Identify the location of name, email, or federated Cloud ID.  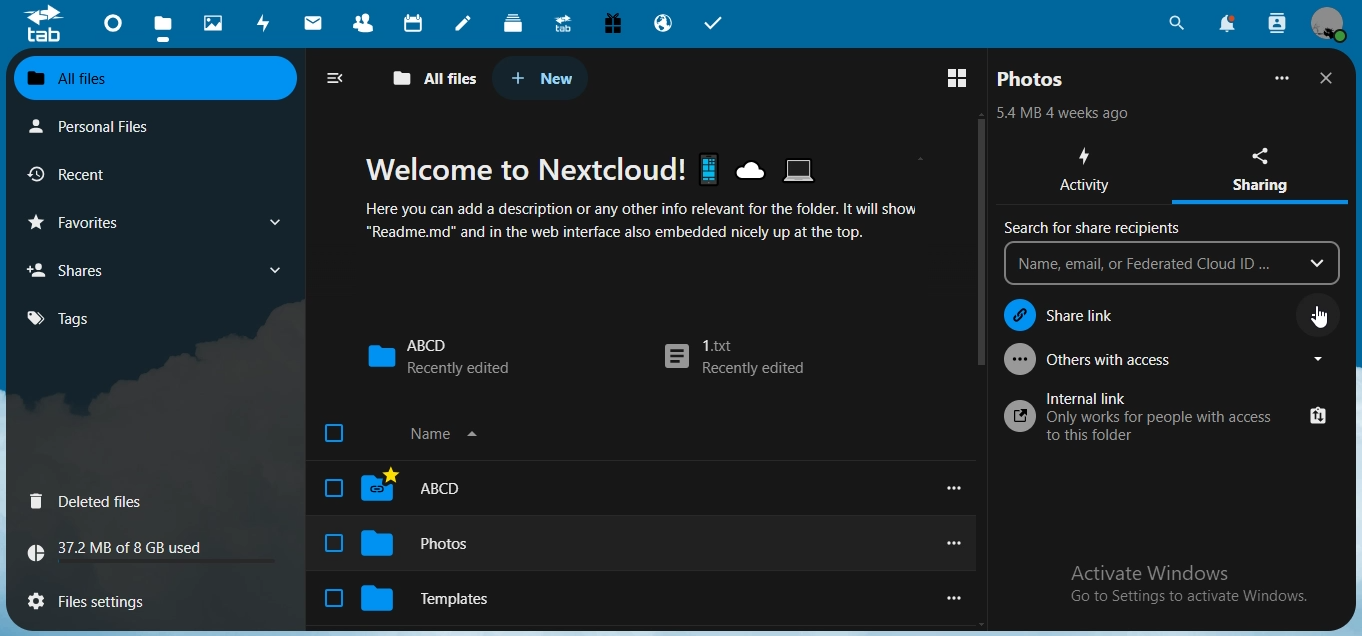
(1170, 265).